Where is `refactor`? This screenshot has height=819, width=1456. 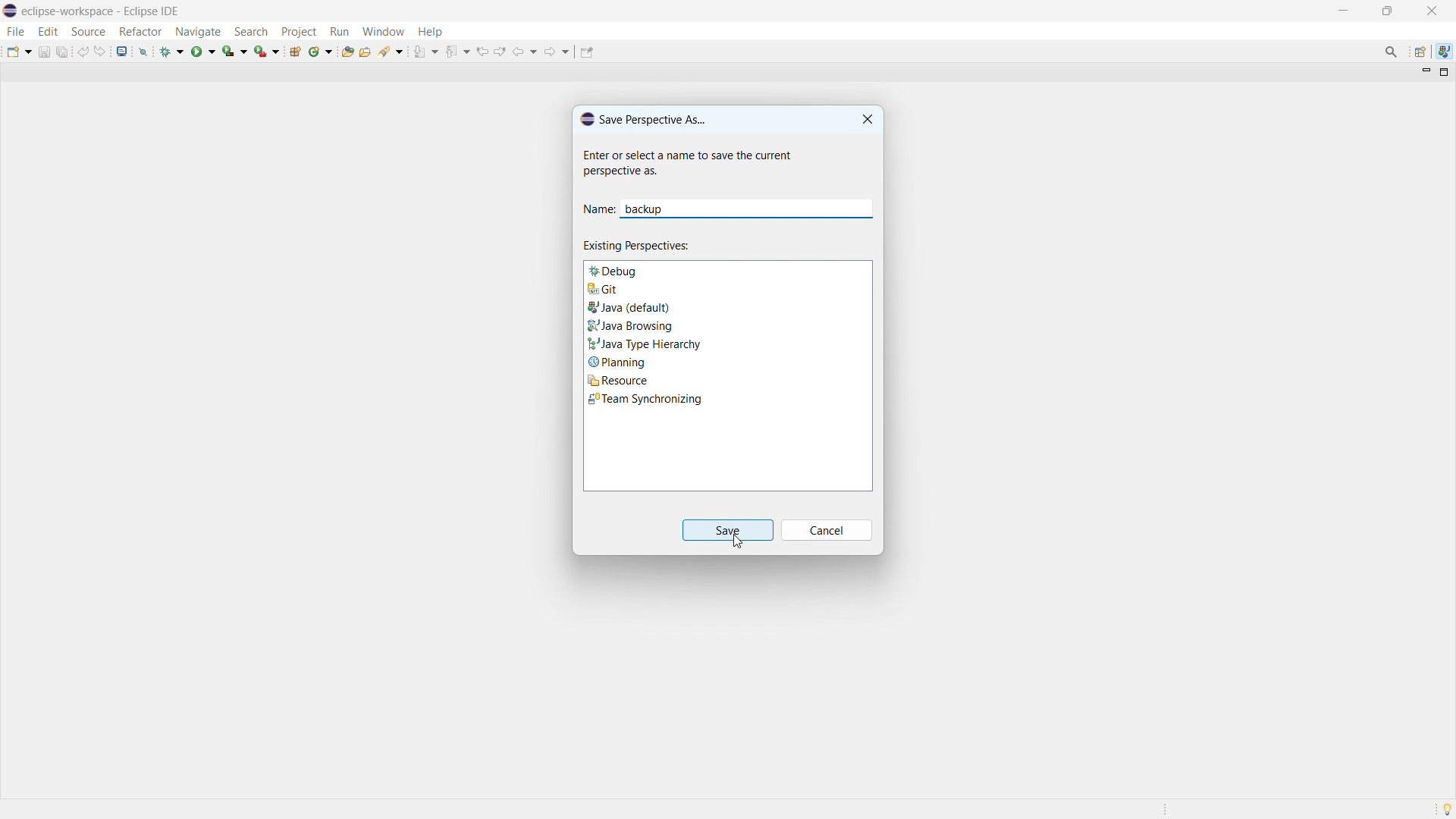
refactor is located at coordinates (141, 33).